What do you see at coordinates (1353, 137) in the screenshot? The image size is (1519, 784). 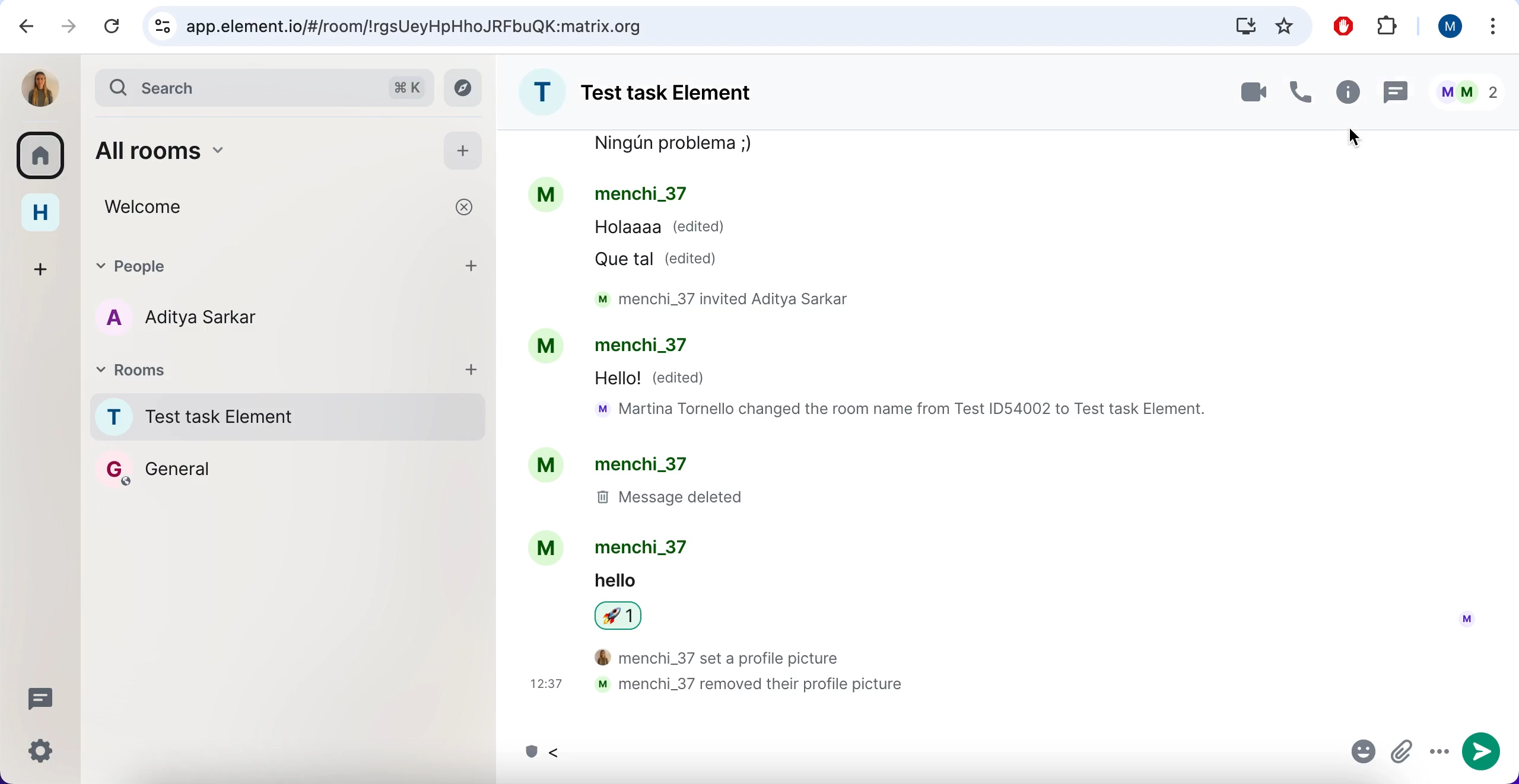 I see `cursor` at bounding box center [1353, 137].